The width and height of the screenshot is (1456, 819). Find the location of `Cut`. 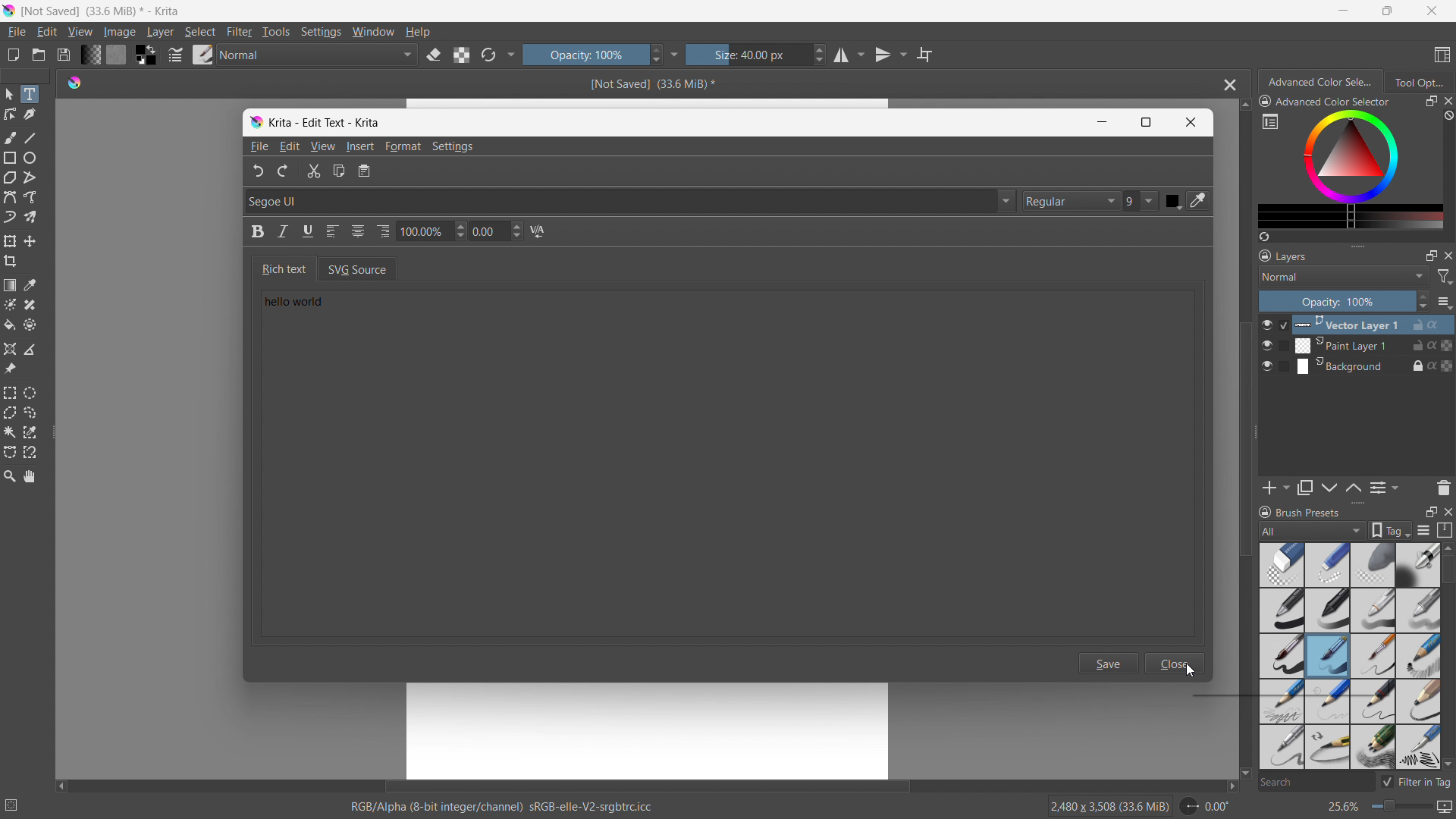

Cut is located at coordinates (312, 172).